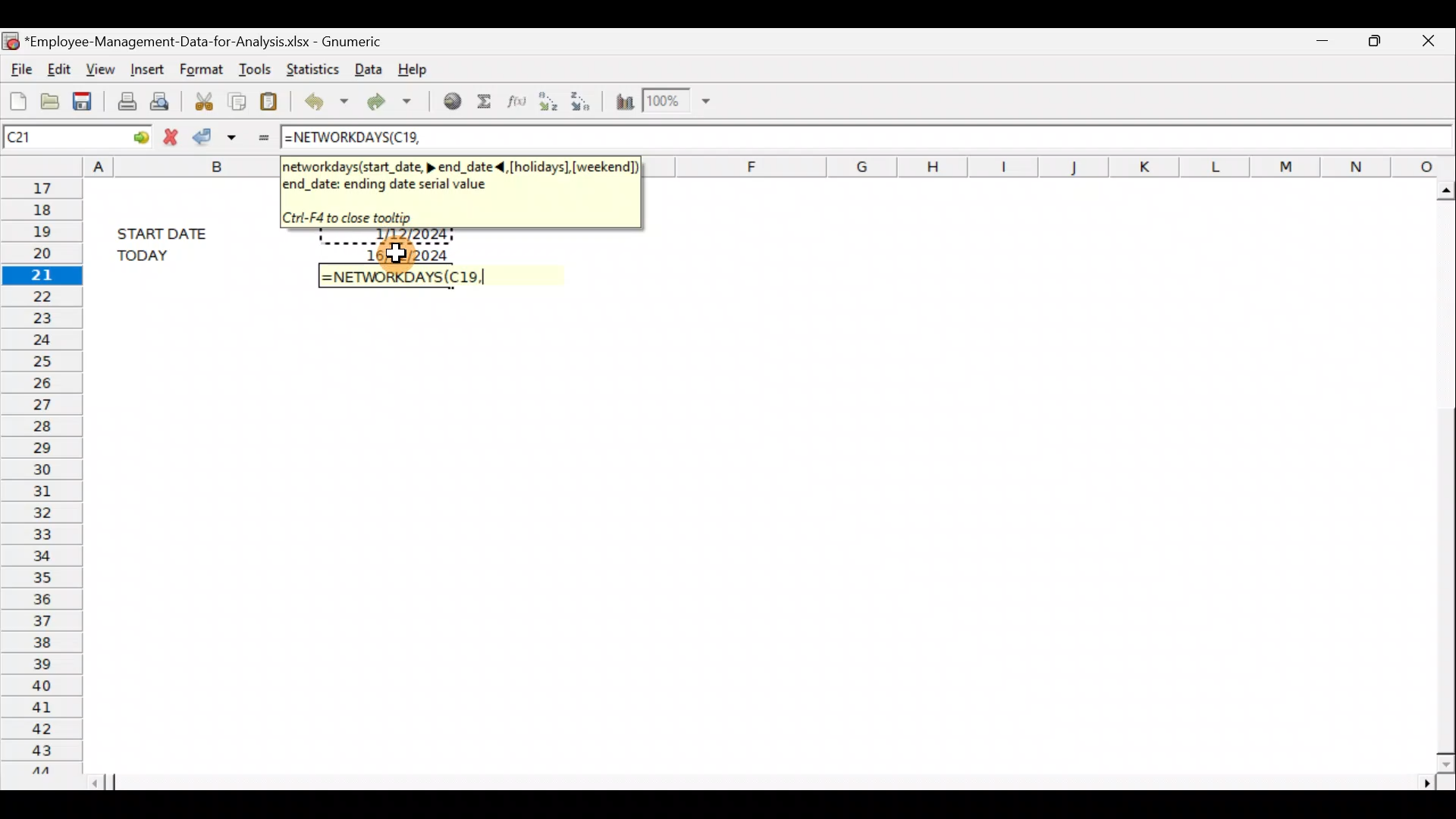 The height and width of the screenshot is (819, 1456). What do you see at coordinates (272, 99) in the screenshot?
I see `Paste the clipboard` at bounding box center [272, 99].